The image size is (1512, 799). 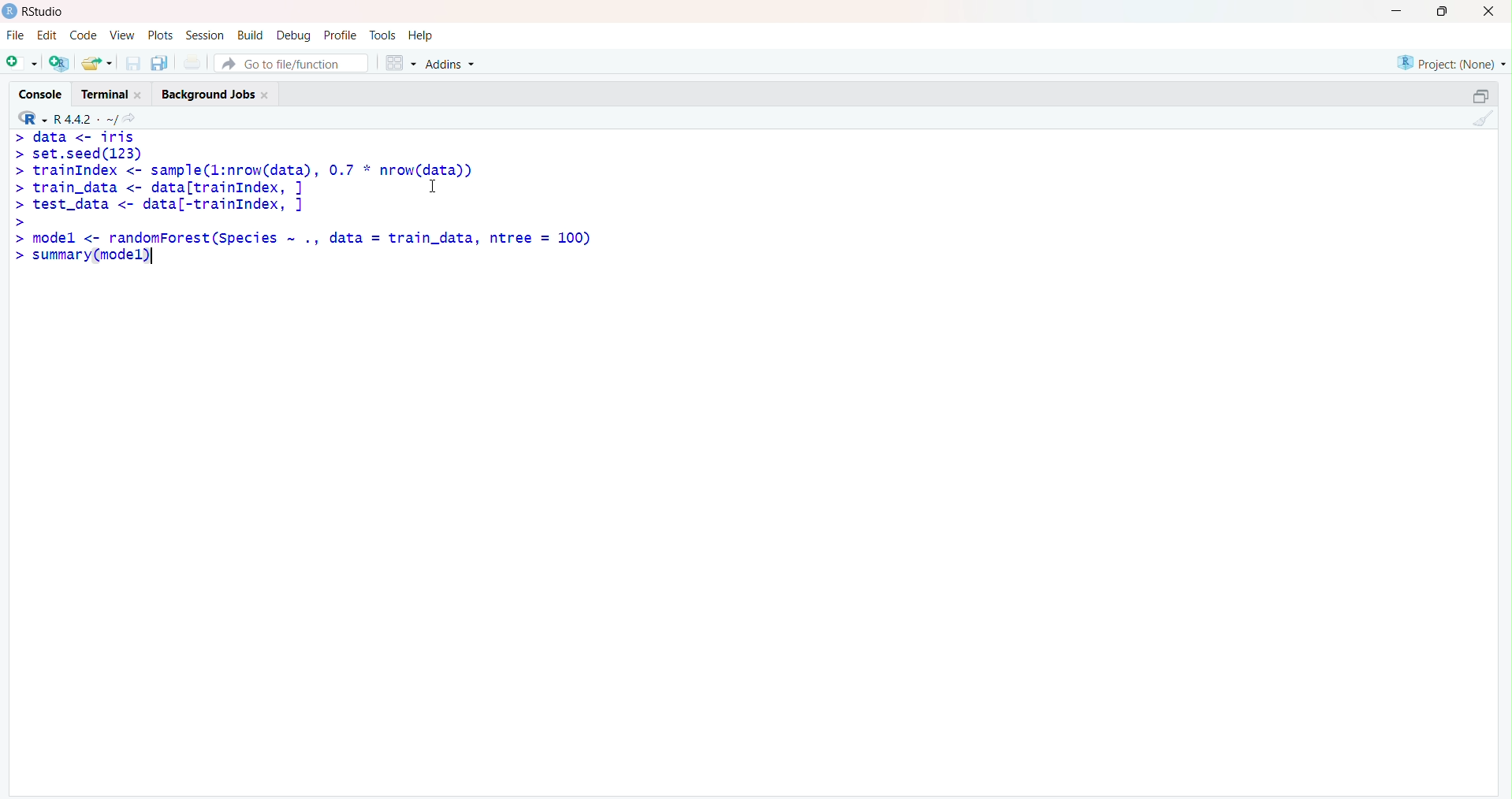 What do you see at coordinates (160, 35) in the screenshot?
I see `Plots` at bounding box center [160, 35].